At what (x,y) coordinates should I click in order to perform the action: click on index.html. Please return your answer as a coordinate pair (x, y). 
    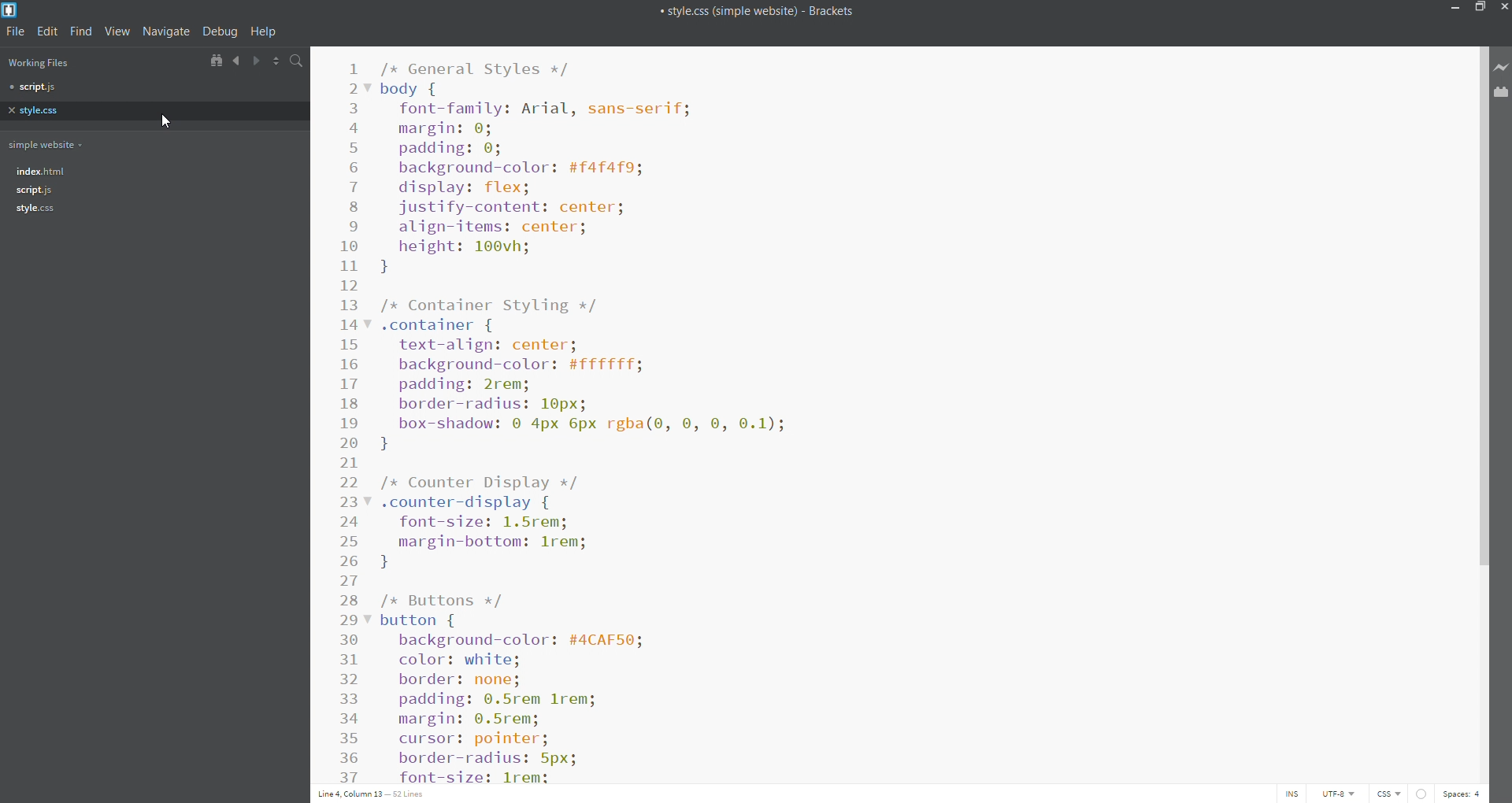
    Looking at the image, I should click on (152, 171).